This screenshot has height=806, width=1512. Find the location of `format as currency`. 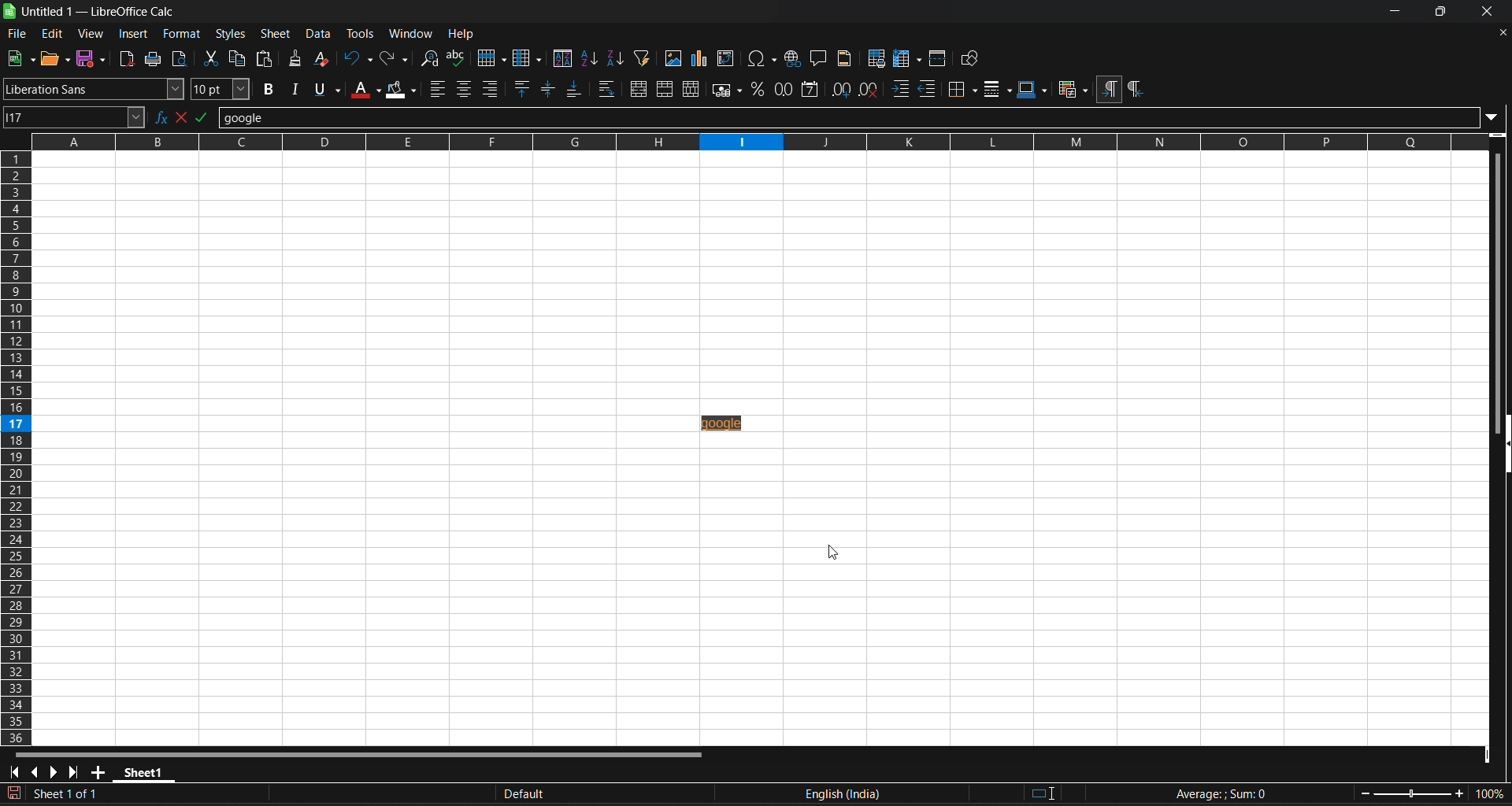

format as currency is located at coordinates (725, 89).